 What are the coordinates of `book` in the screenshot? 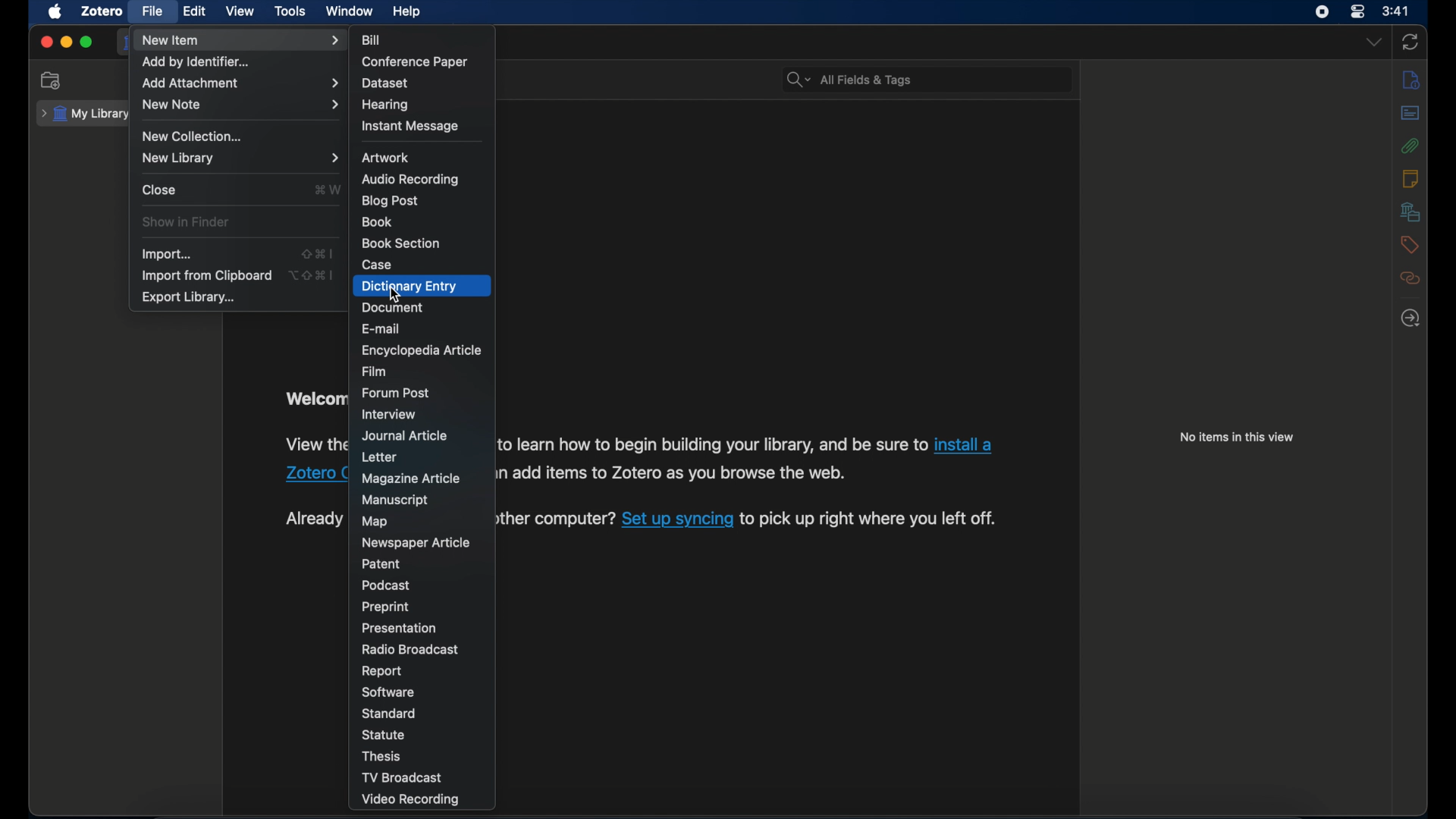 It's located at (378, 221).